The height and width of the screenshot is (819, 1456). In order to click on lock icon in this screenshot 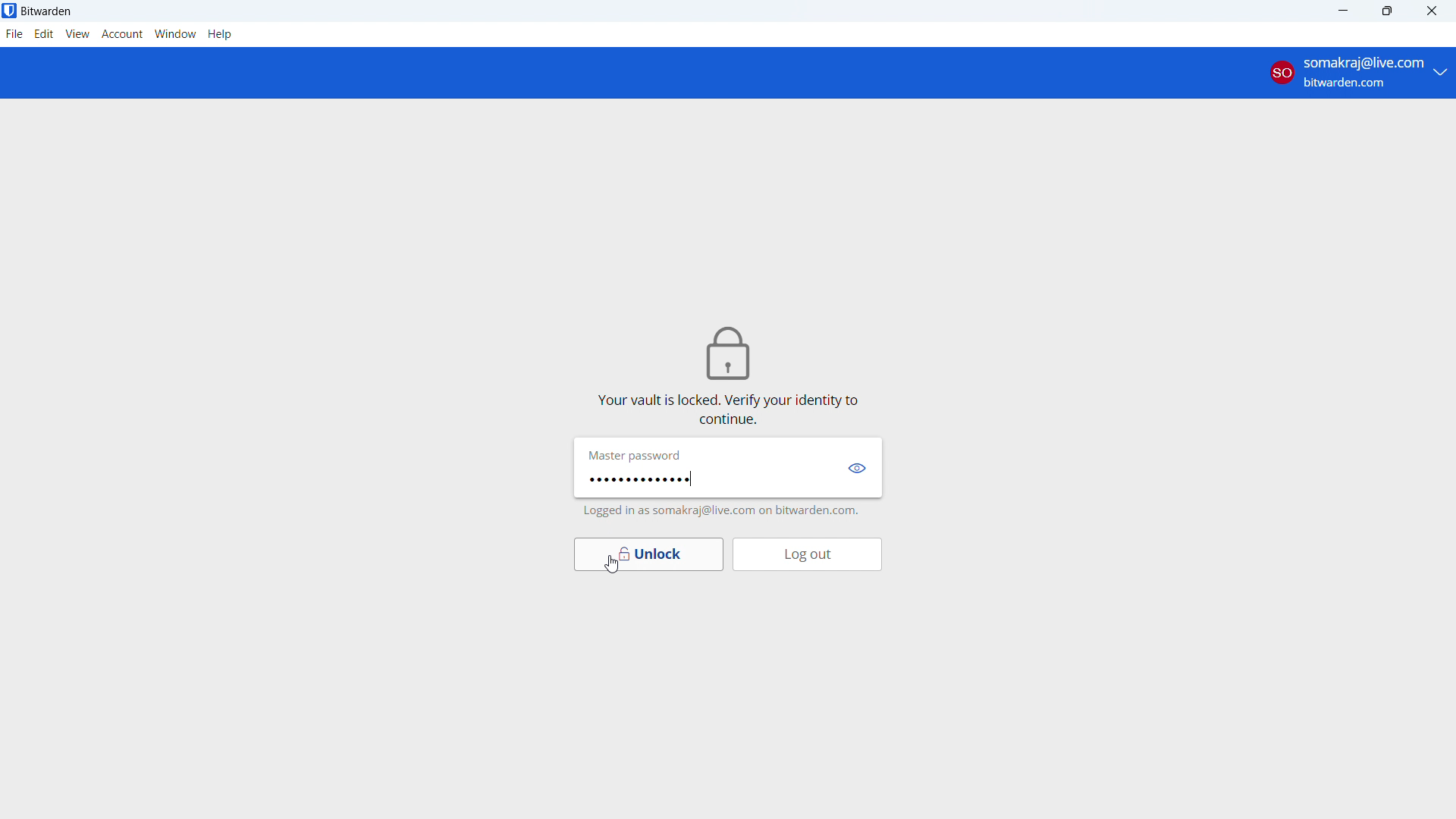, I will do `click(732, 347)`.